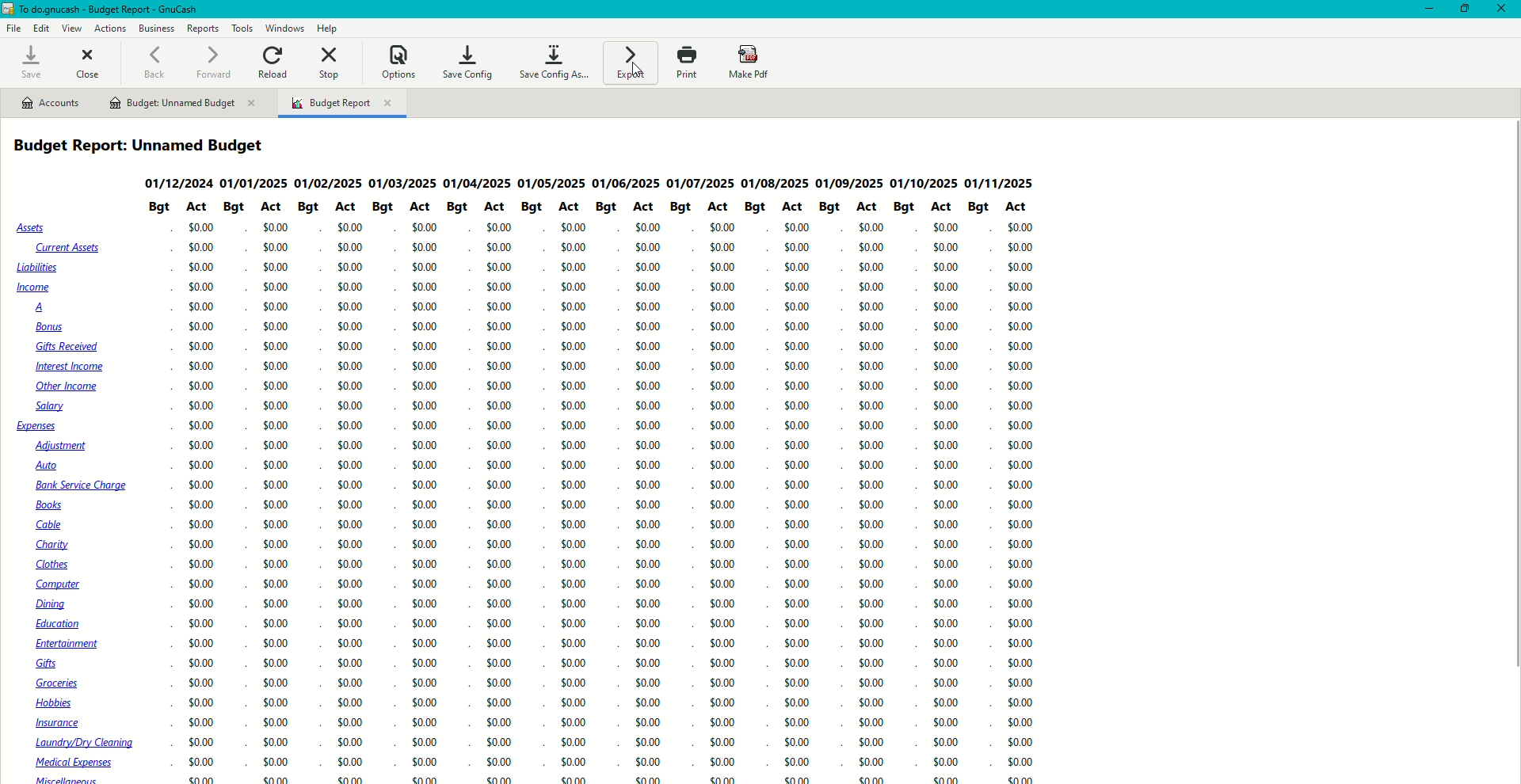 Image resolution: width=1521 pixels, height=784 pixels. Describe the element at coordinates (578, 386) in the screenshot. I see `$0.00` at that location.